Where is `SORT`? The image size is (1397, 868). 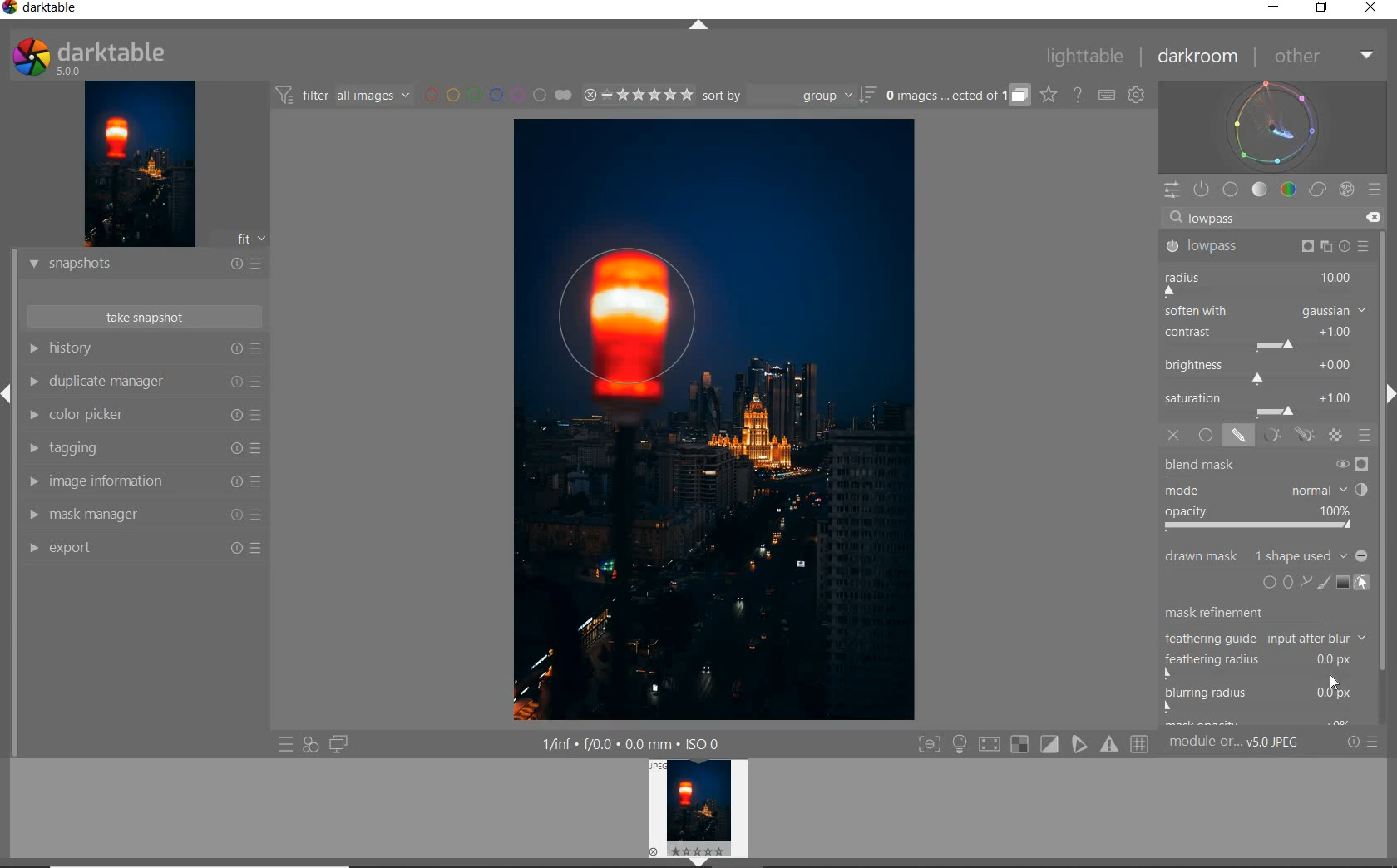 SORT is located at coordinates (787, 97).